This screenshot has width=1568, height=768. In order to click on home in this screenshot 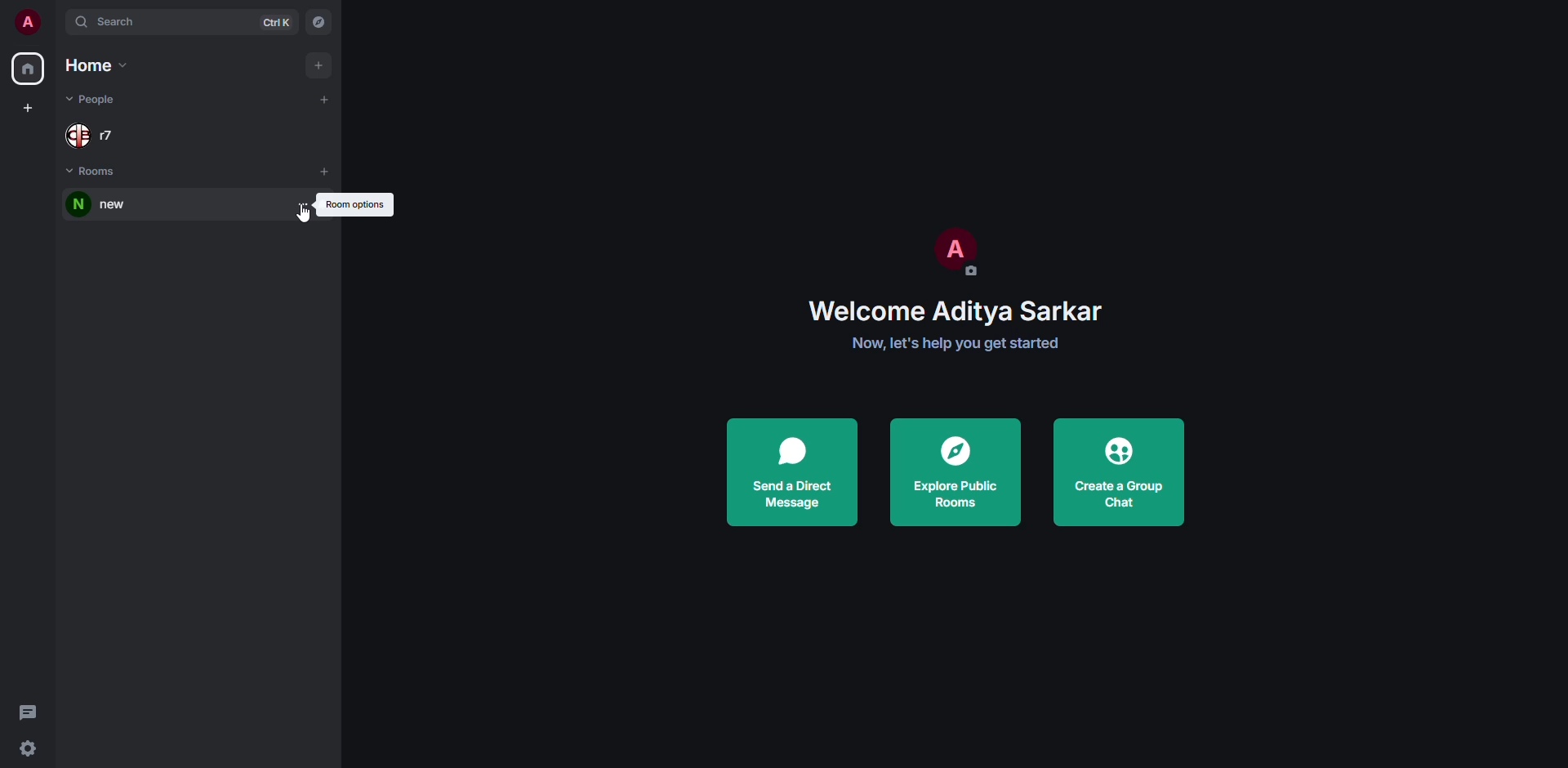, I will do `click(99, 66)`.